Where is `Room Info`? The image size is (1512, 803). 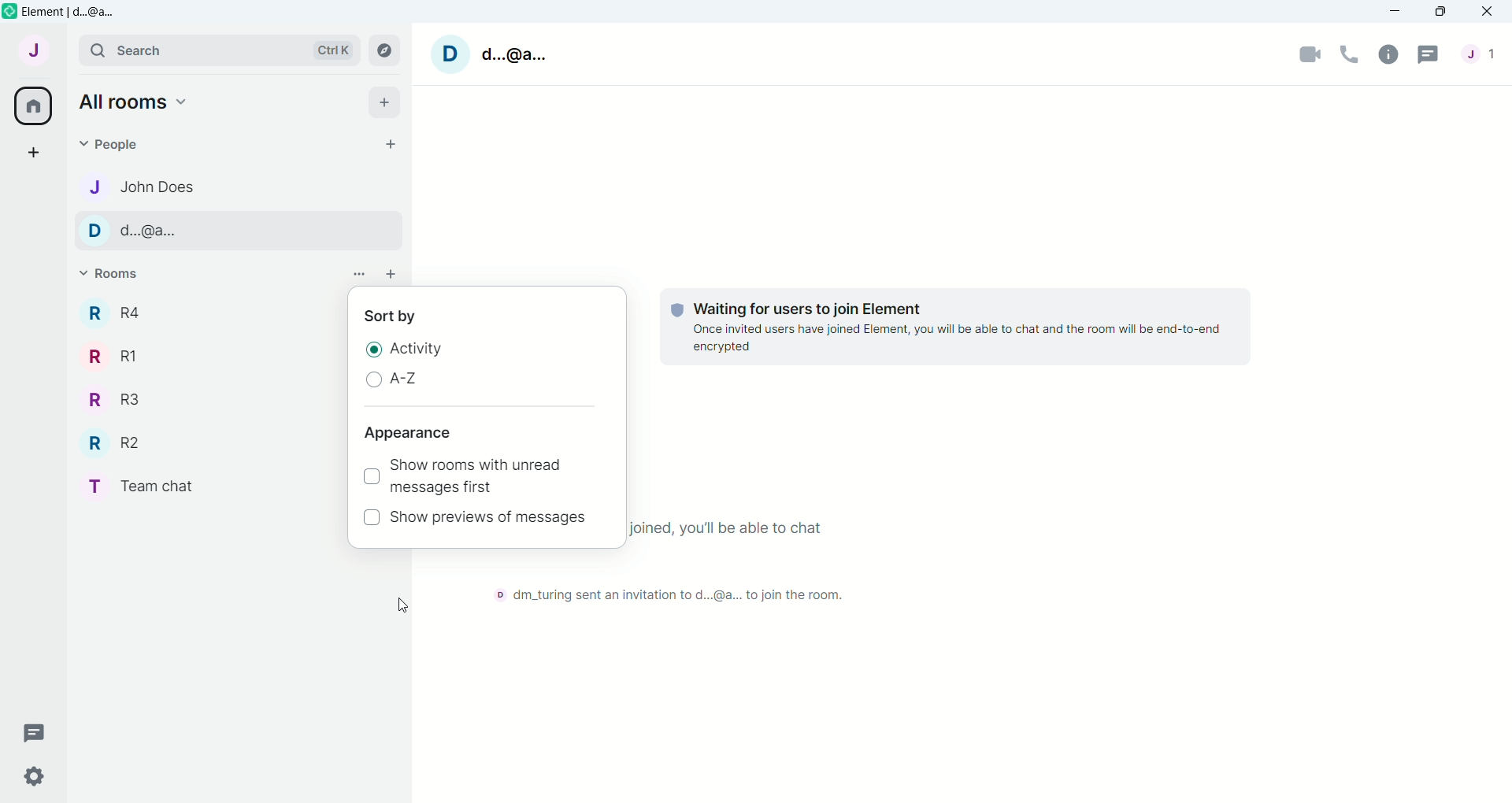
Room Info is located at coordinates (1388, 54).